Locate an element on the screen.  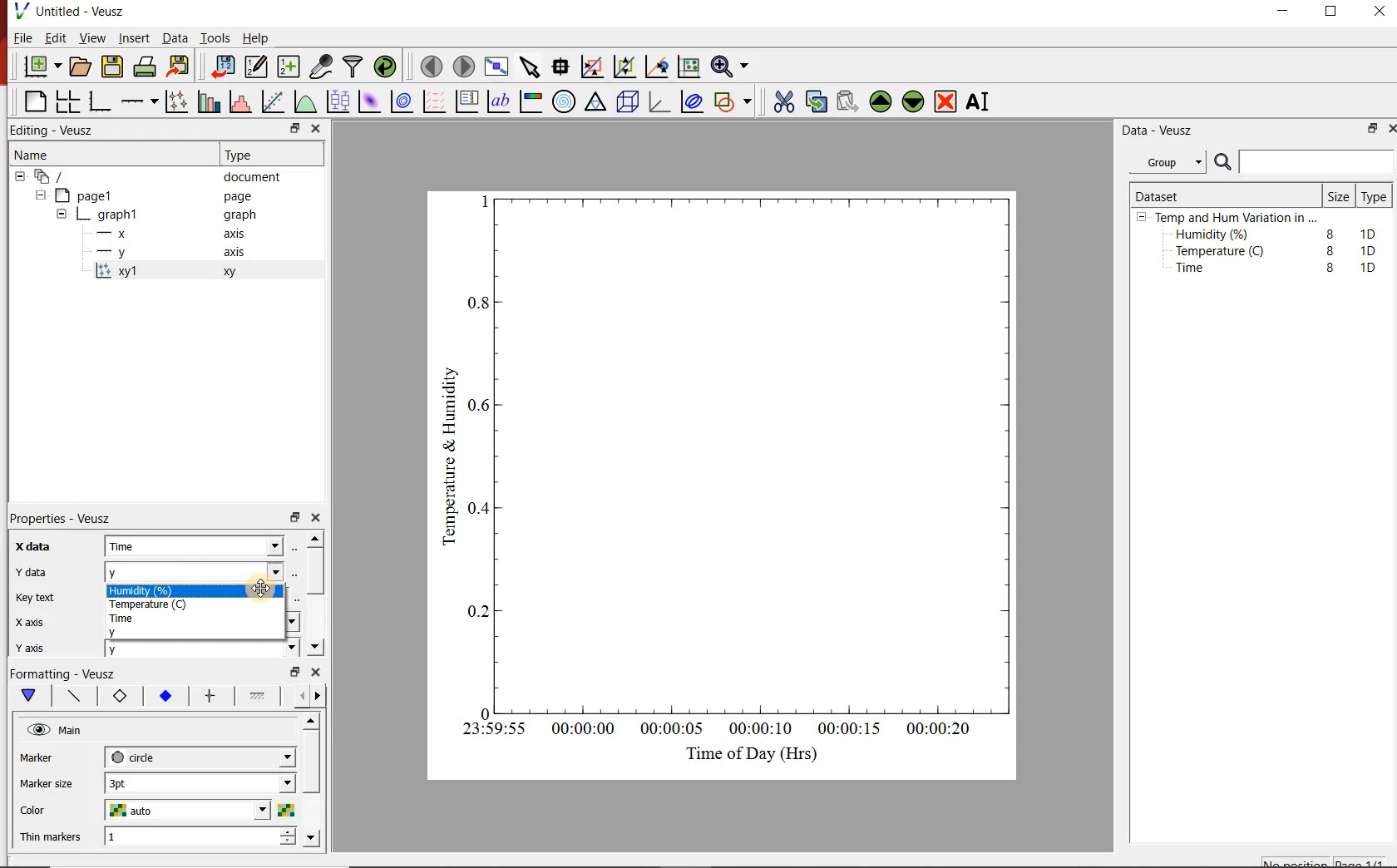
plot a 2d dataset as contours is located at coordinates (406, 102).